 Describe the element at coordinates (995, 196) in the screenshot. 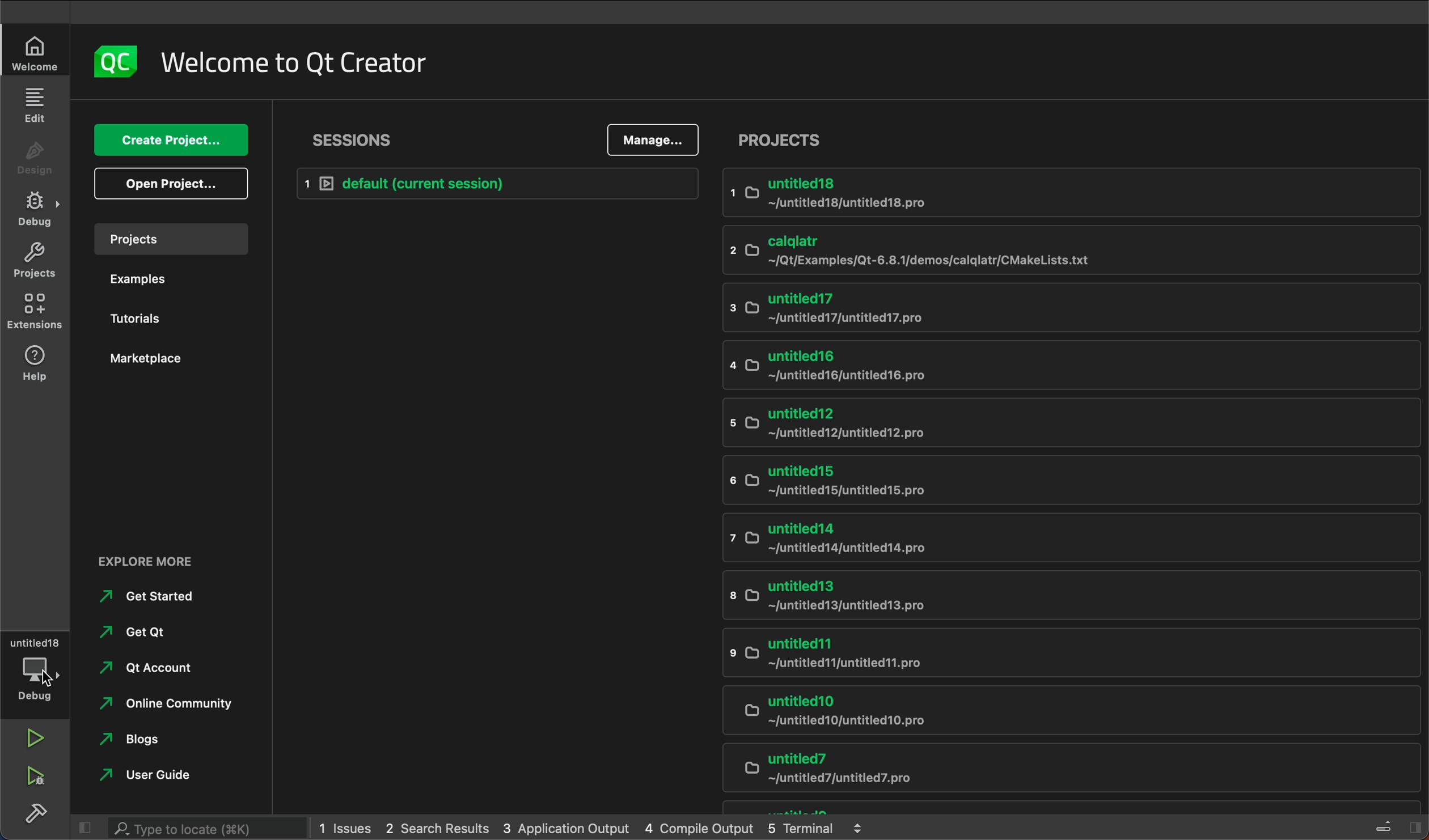

I see `untitled18` at that location.